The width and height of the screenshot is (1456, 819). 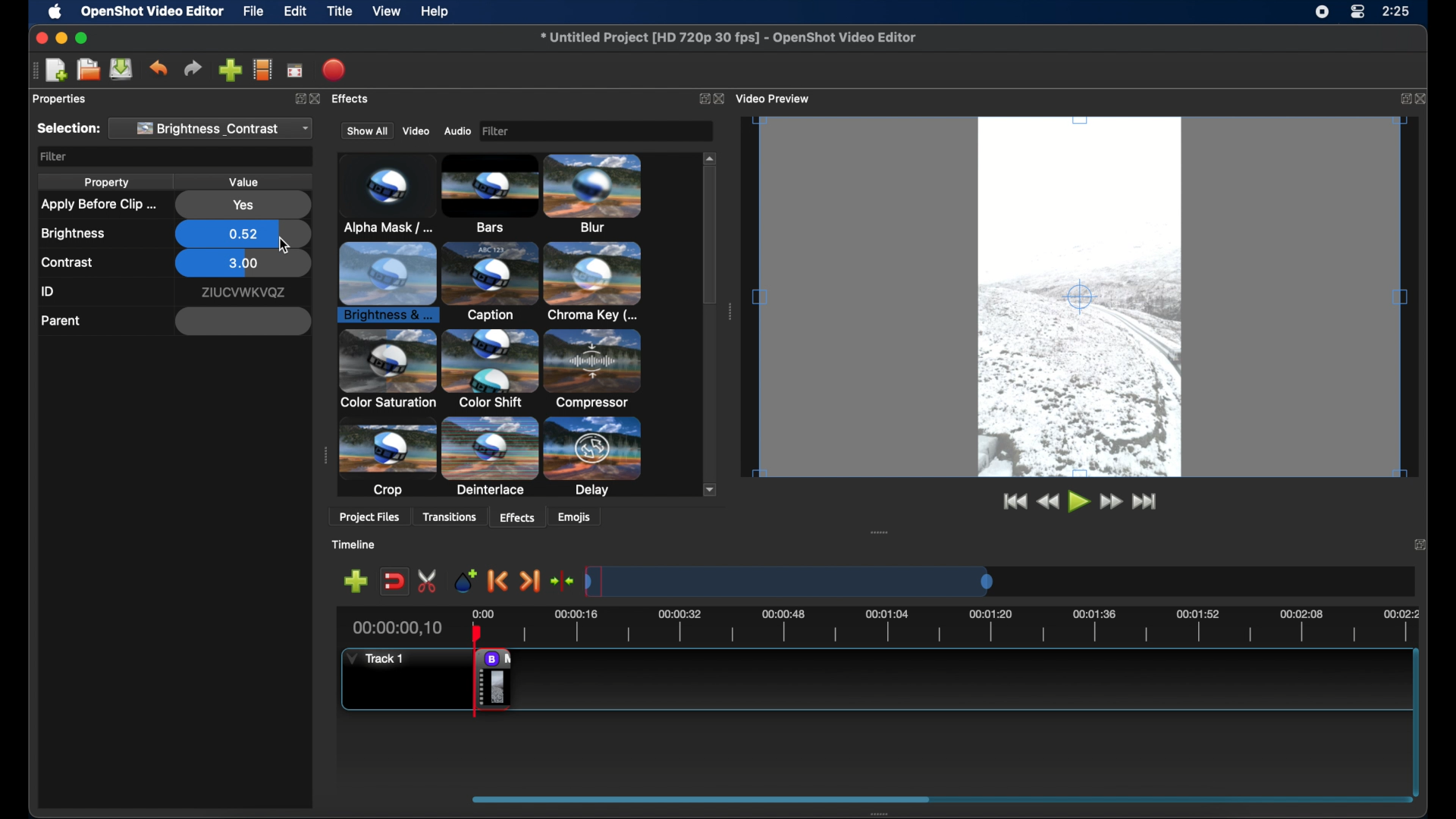 I want to click on open project, so click(x=88, y=70).